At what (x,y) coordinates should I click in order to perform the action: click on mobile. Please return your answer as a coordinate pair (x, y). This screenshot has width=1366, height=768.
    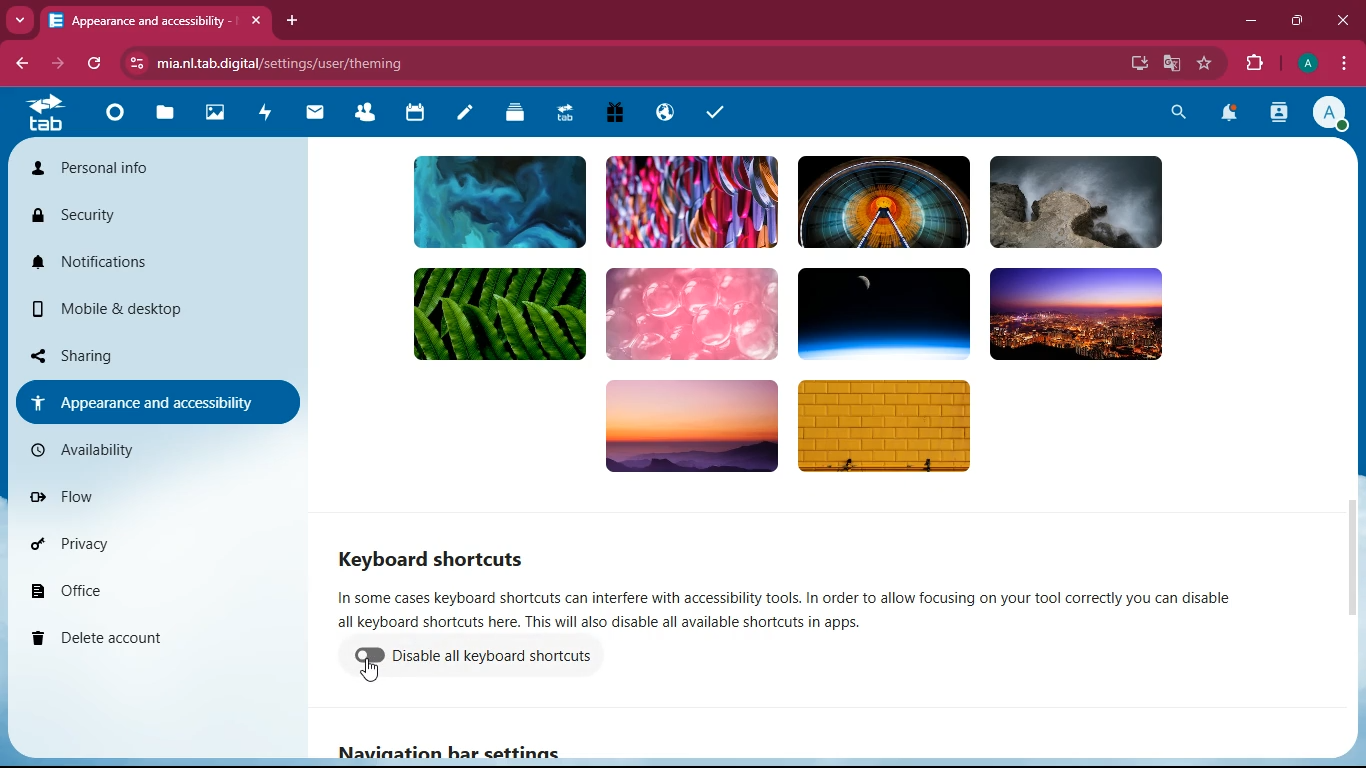
    Looking at the image, I should click on (144, 304).